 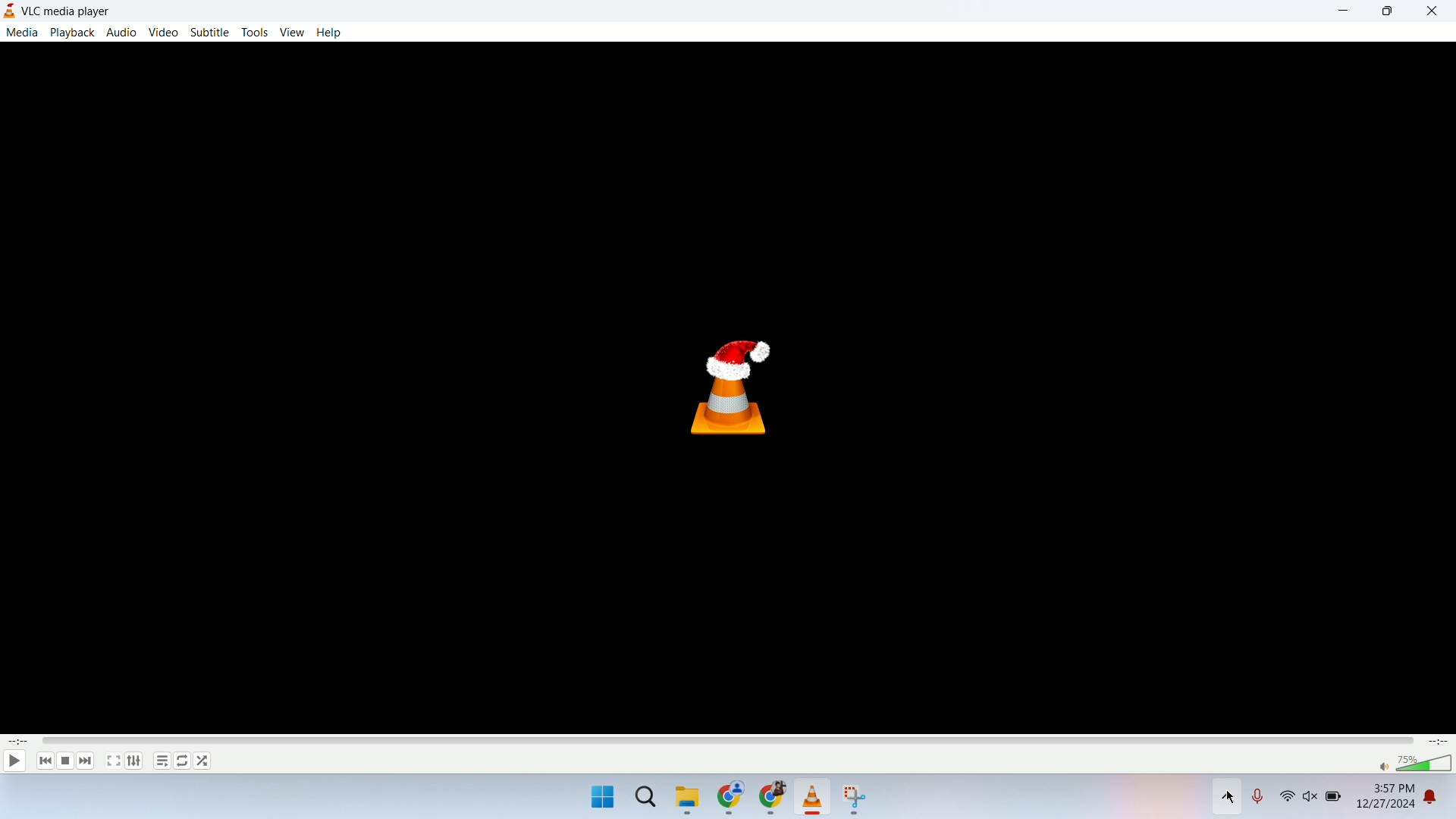 What do you see at coordinates (1287, 799) in the screenshot?
I see `wifi` at bounding box center [1287, 799].